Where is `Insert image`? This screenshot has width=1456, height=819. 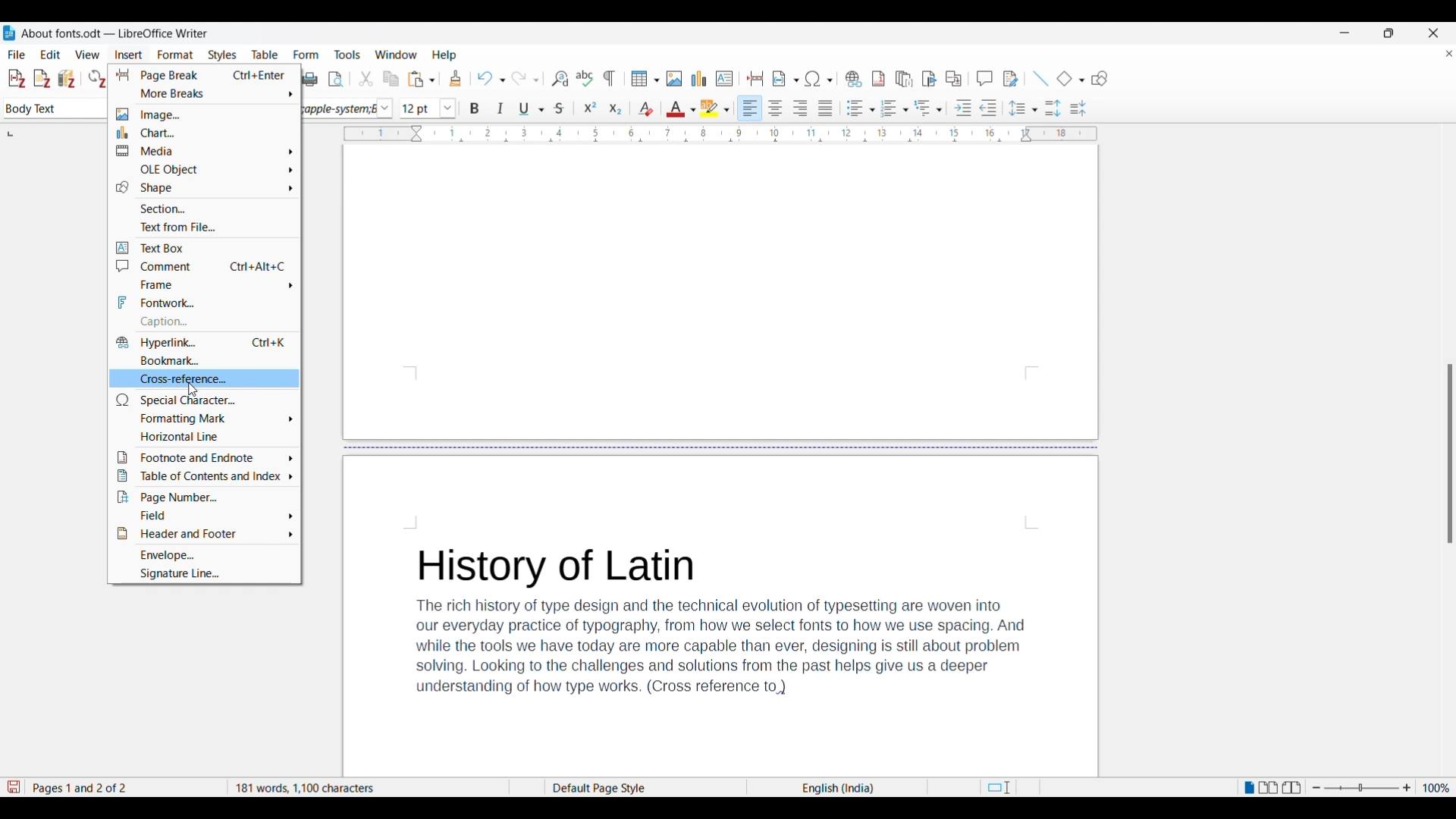
Insert image is located at coordinates (674, 79).